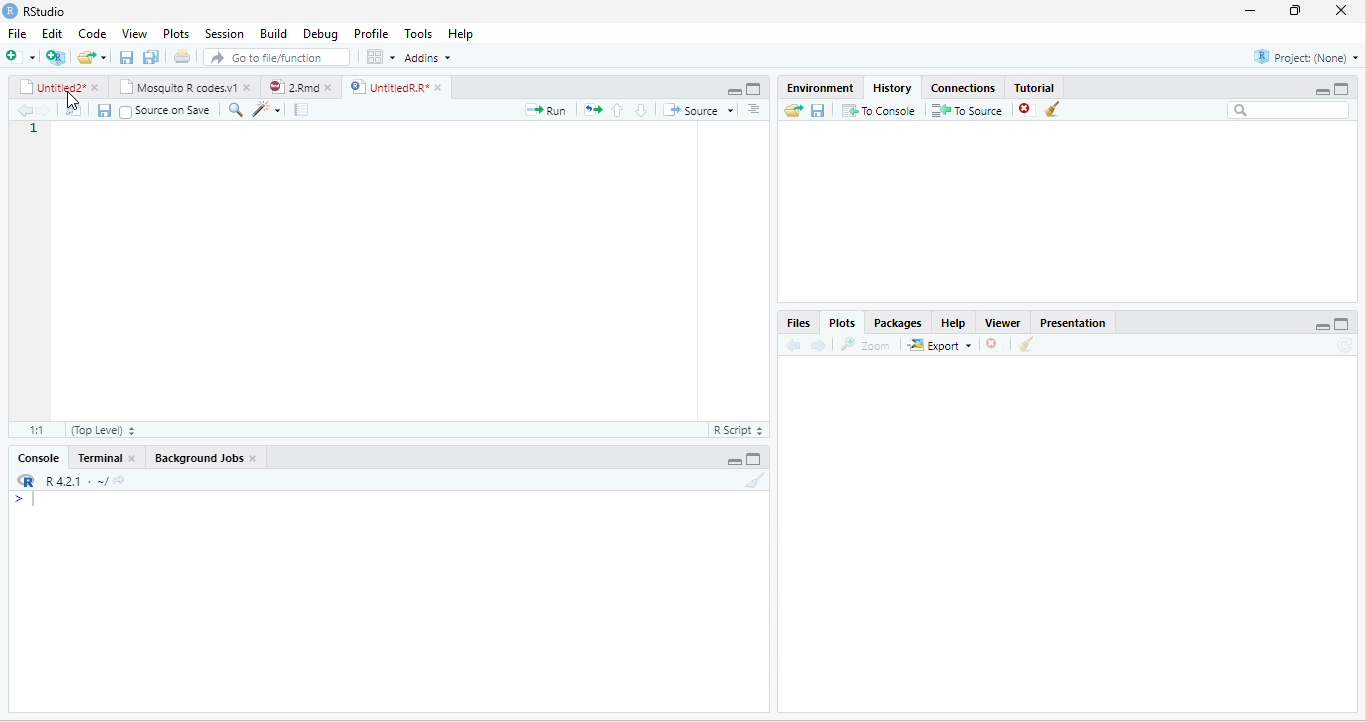 The width and height of the screenshot is (1366, 722). Describe the element at coordinates (614, 109) in the screenshot. I see `up` at that location.